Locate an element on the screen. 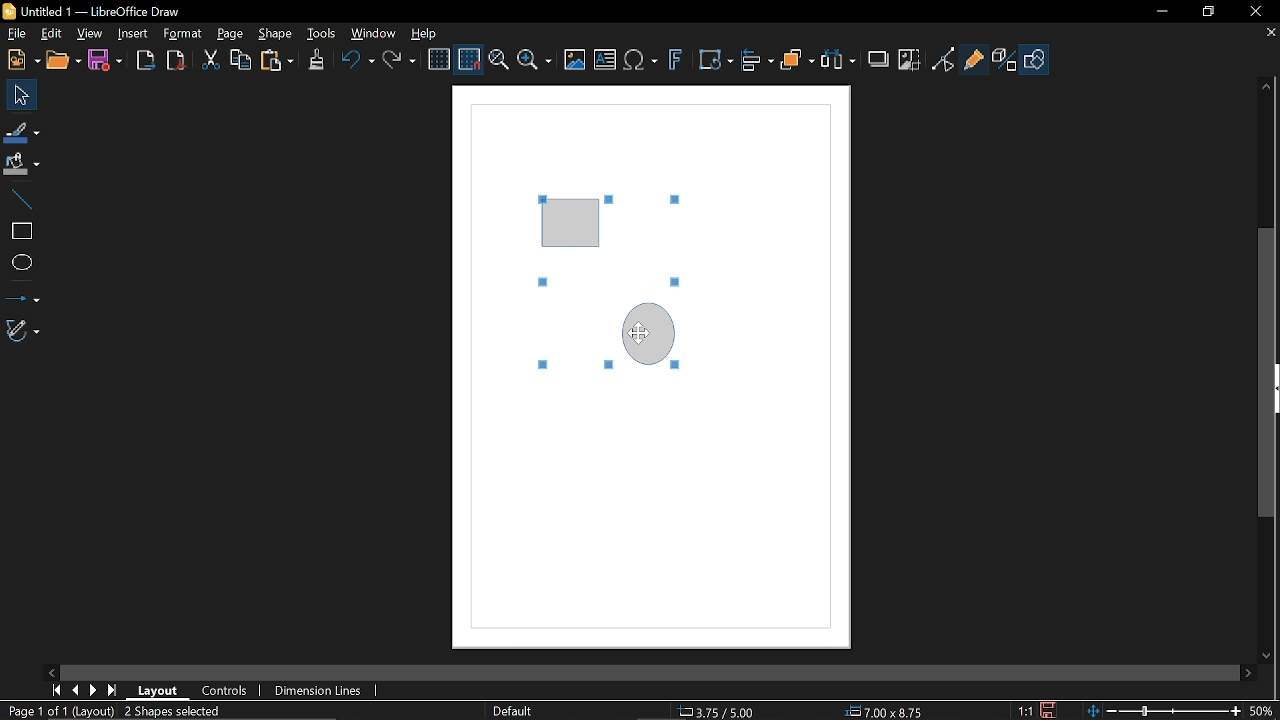 The image size is (1280, 720). Location is located at coordinates (719, 712).